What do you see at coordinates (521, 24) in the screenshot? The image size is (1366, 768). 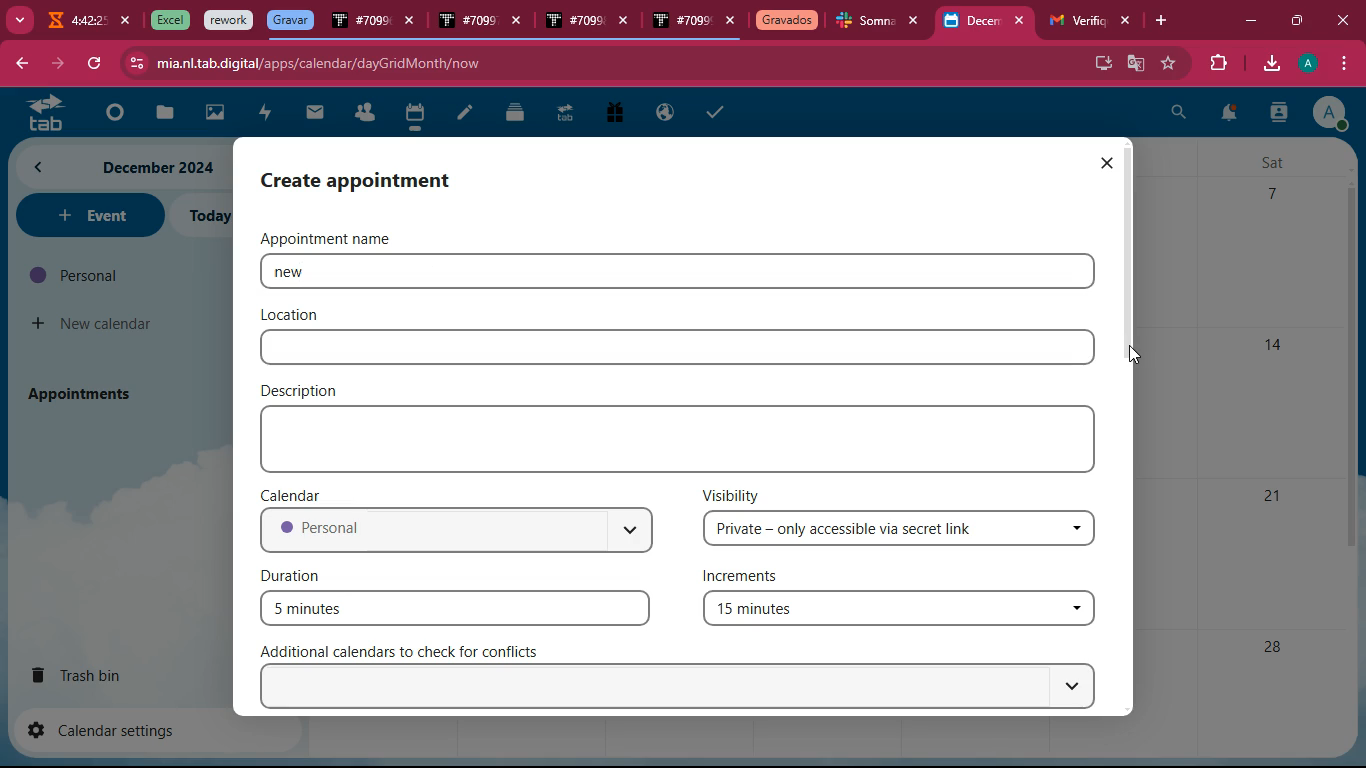 I see `close` at bounding box center [521, 24].